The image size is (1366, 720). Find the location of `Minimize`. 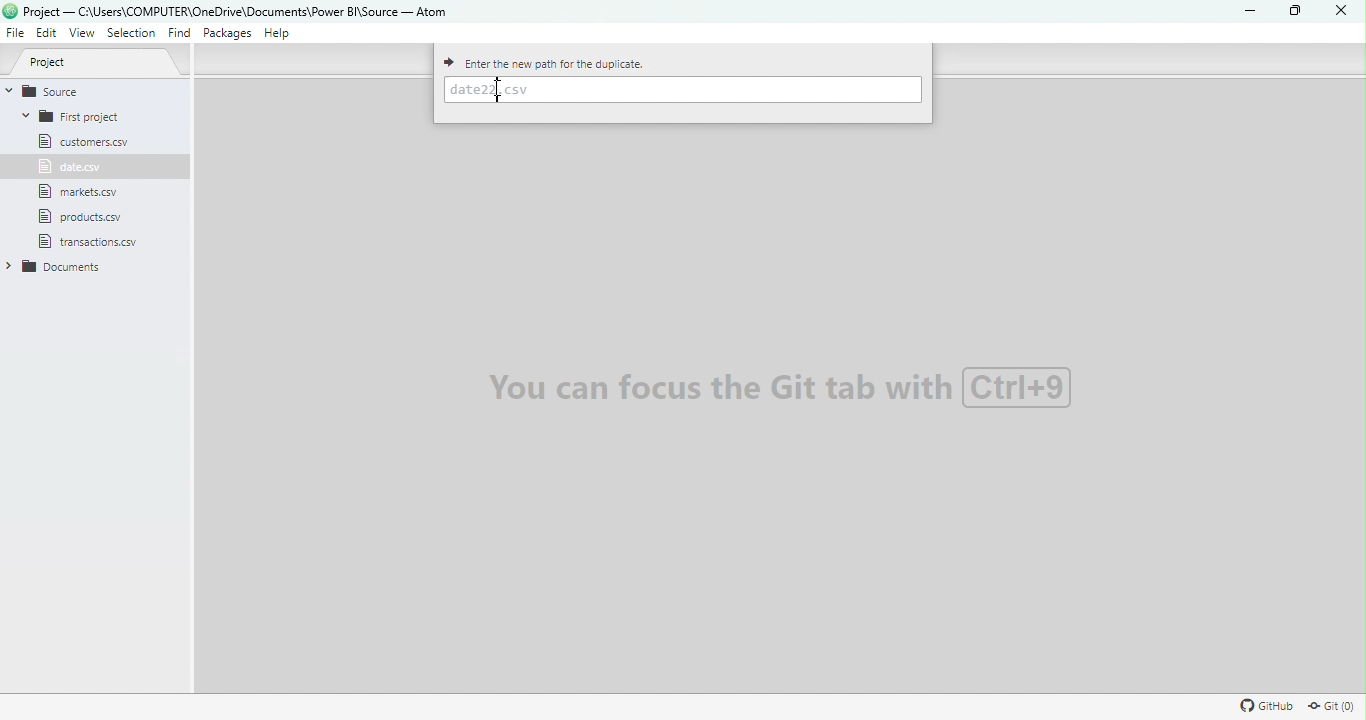

Minimize is located at coordinates (1247, 12).